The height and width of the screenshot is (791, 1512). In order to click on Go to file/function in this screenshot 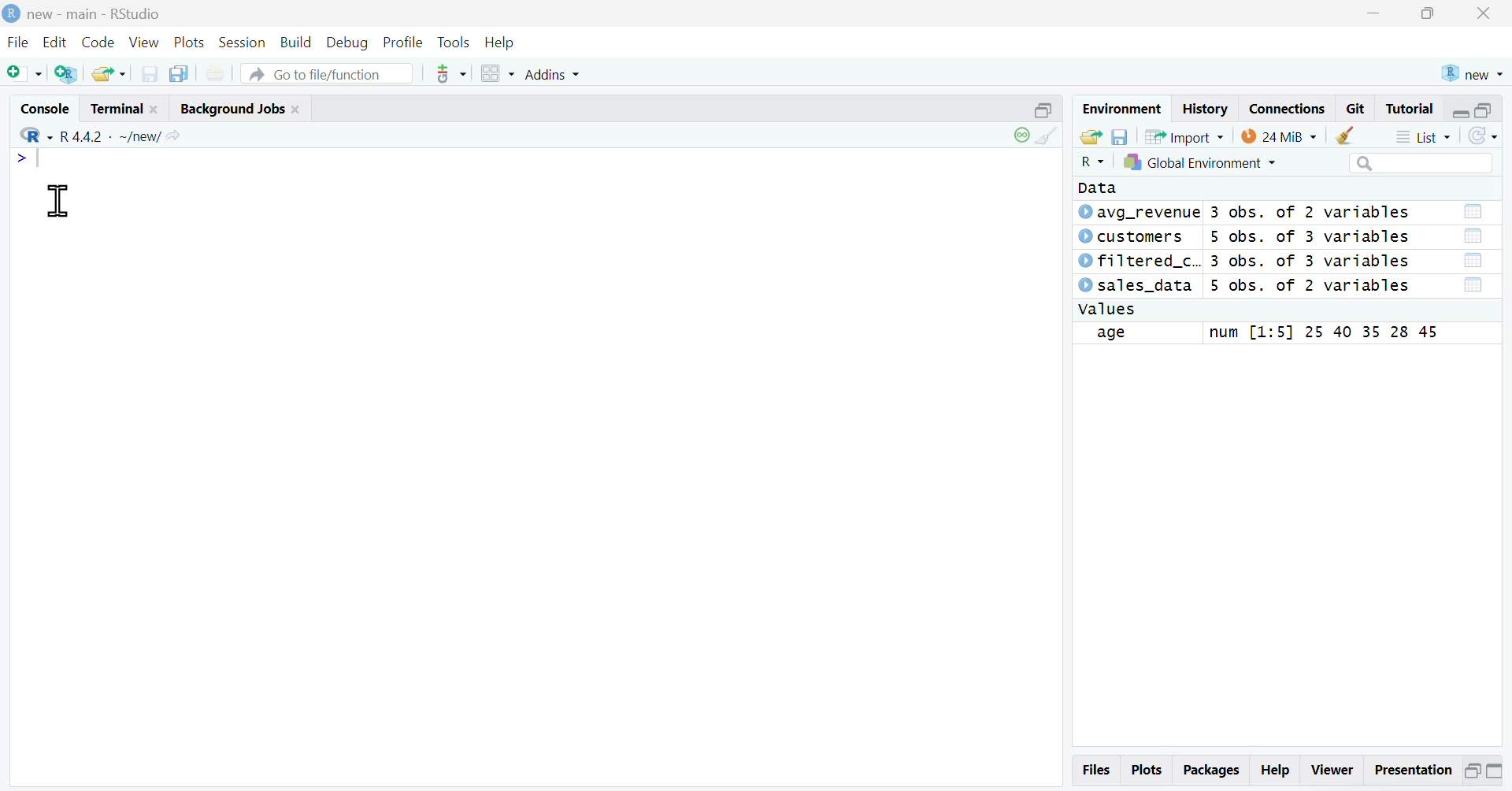, I will do `click(328, 73)`.